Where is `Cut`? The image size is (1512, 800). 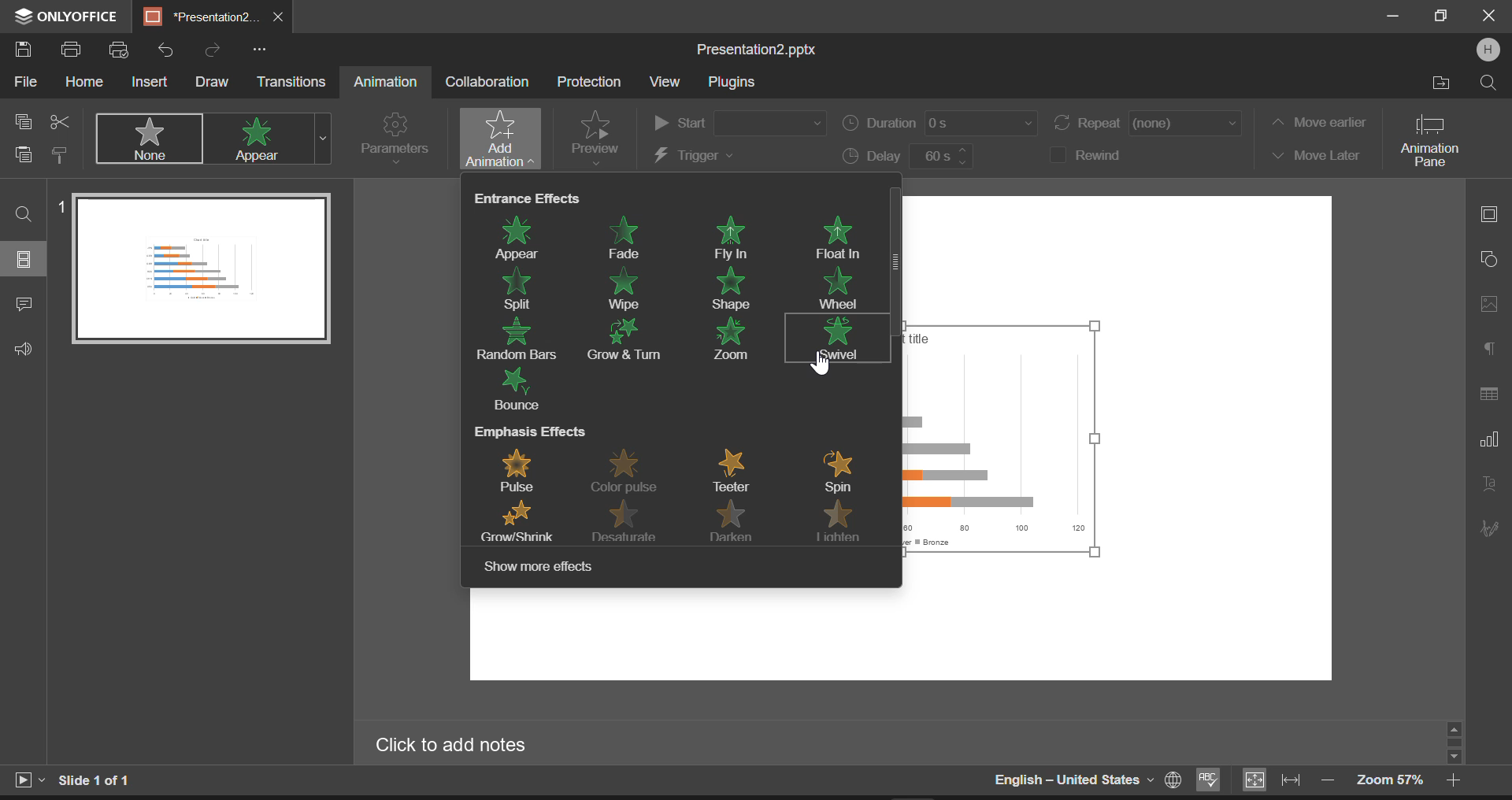 Cut is located at coordinates (60, 119).